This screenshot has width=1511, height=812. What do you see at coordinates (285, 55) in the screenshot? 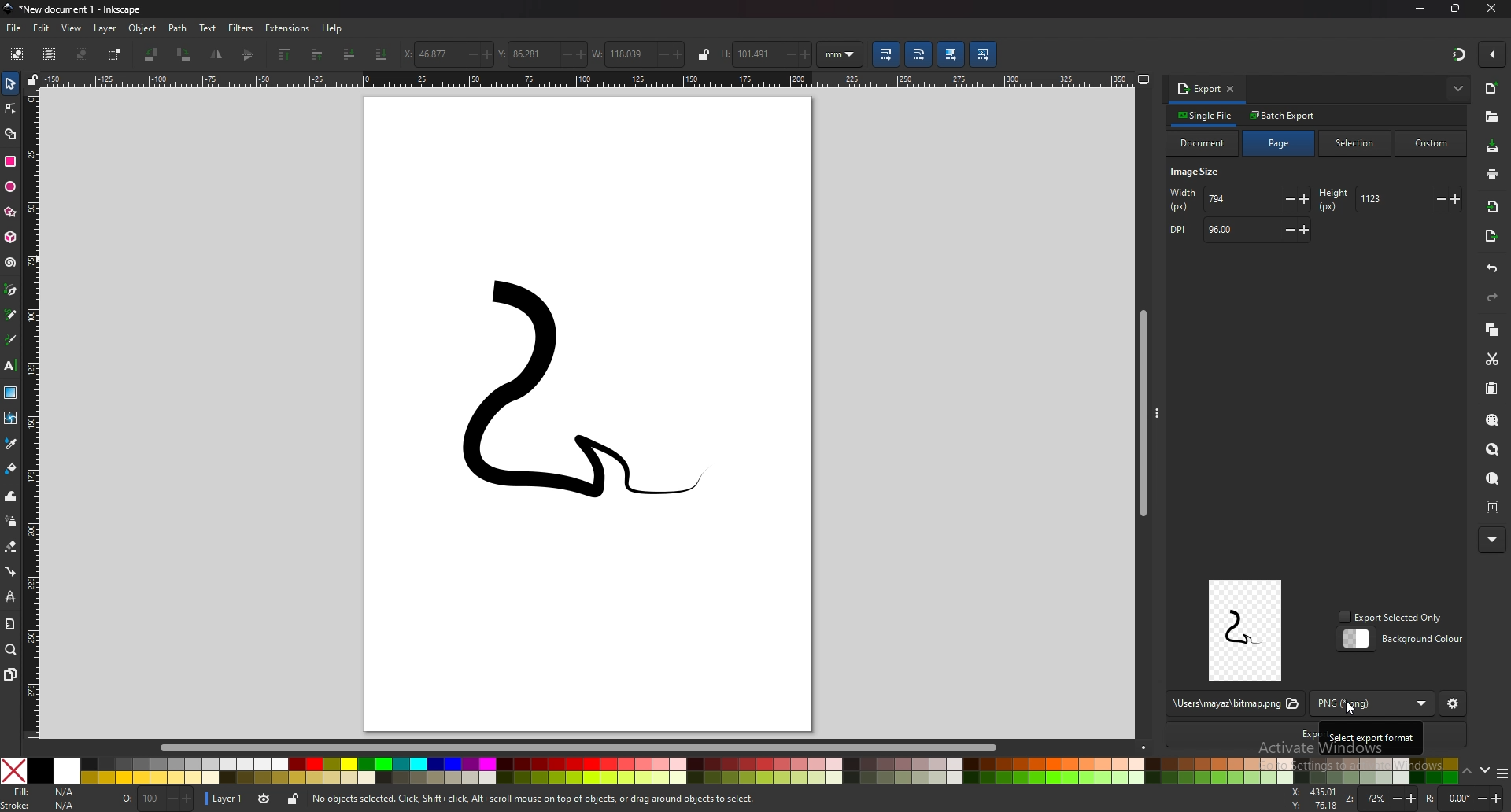
I see `raise selection to top` at bounding box center [285, 55].